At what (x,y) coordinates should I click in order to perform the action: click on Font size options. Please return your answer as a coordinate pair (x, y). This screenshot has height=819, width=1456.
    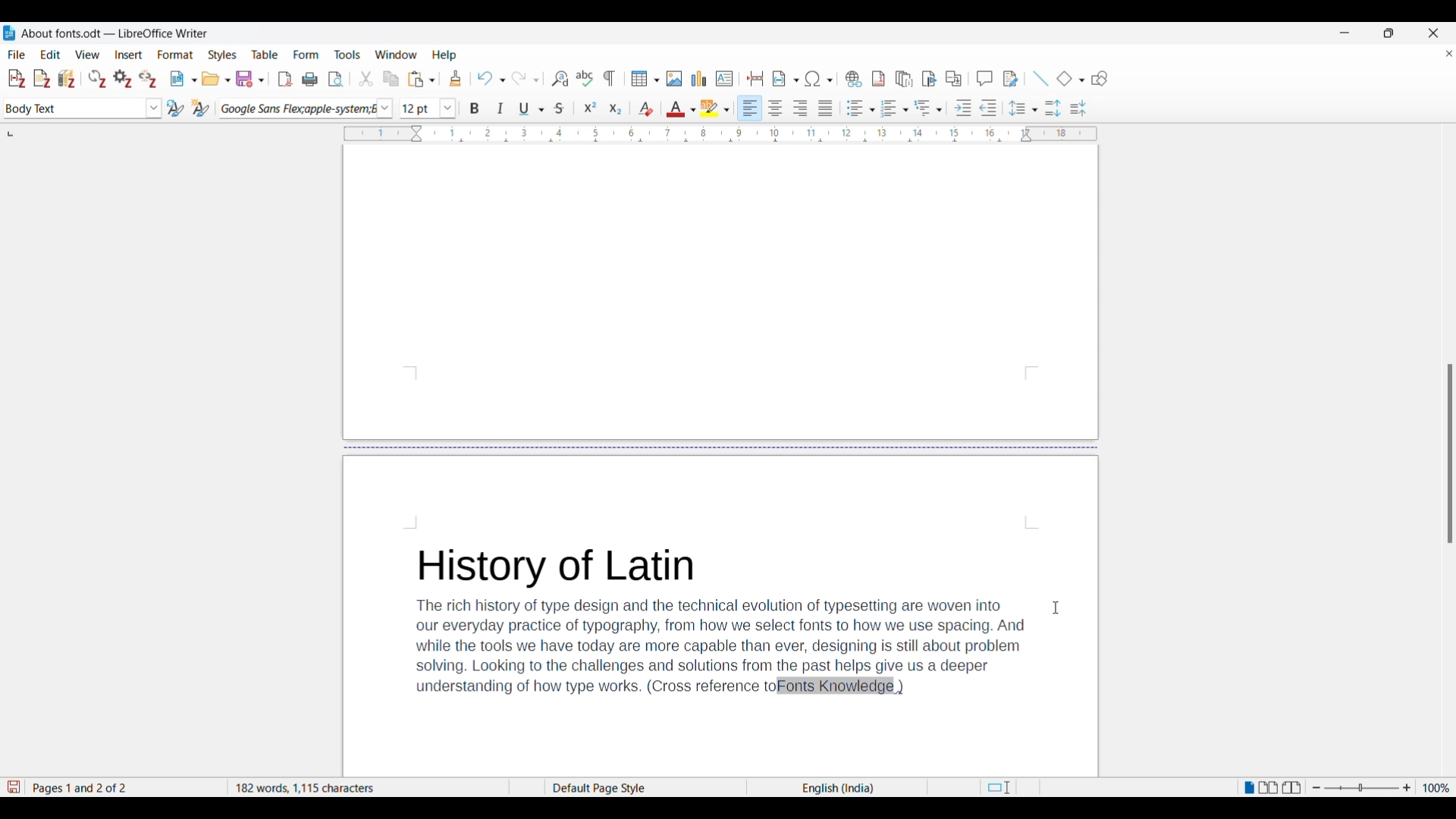
    Looking at the image, I should click on (448, 108).